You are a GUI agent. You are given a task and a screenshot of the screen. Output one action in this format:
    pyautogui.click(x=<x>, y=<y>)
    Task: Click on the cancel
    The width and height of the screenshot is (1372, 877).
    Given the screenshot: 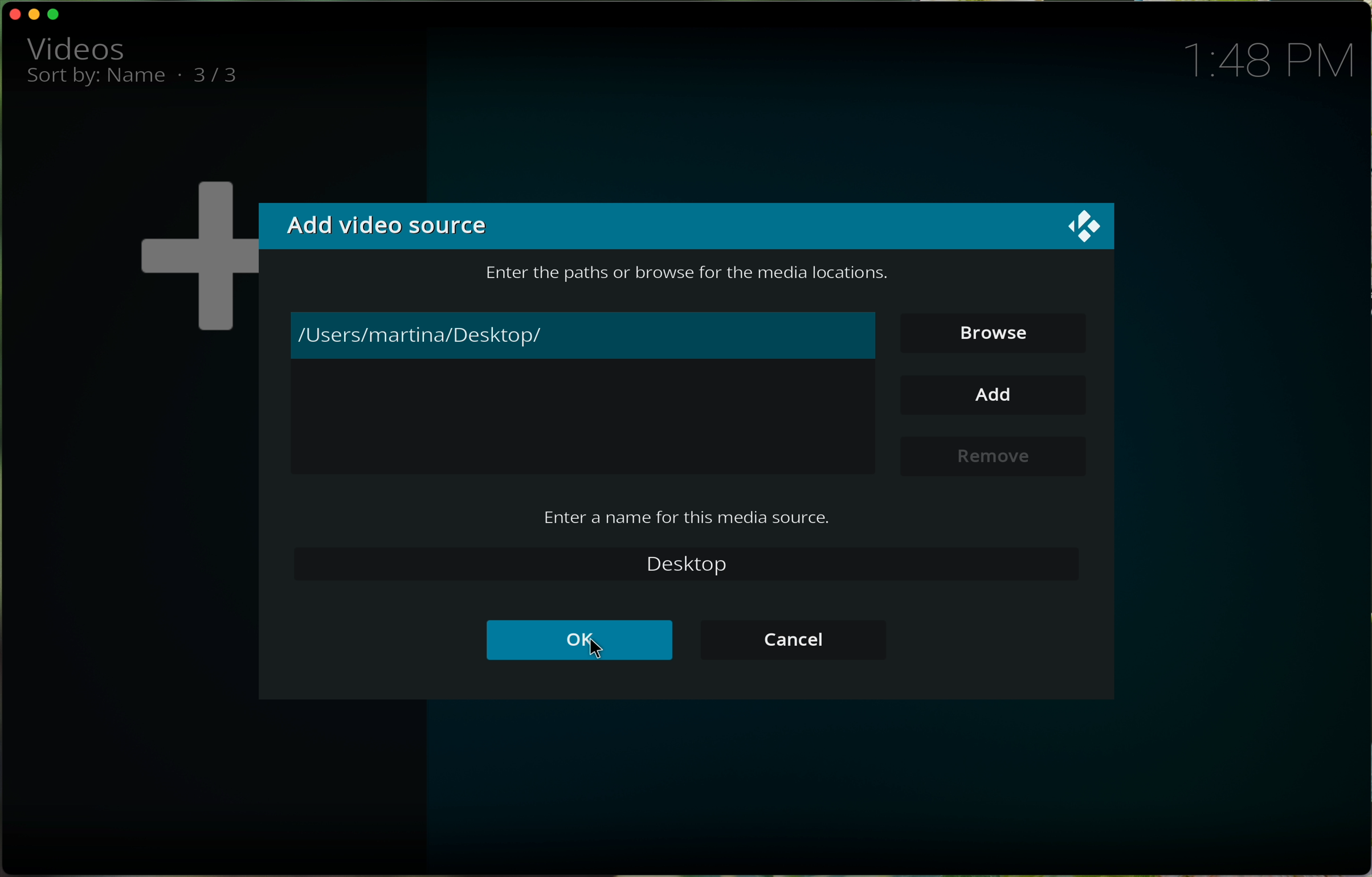 What is the action you would take?
    pyautogui.click(x=793, y=640)
    